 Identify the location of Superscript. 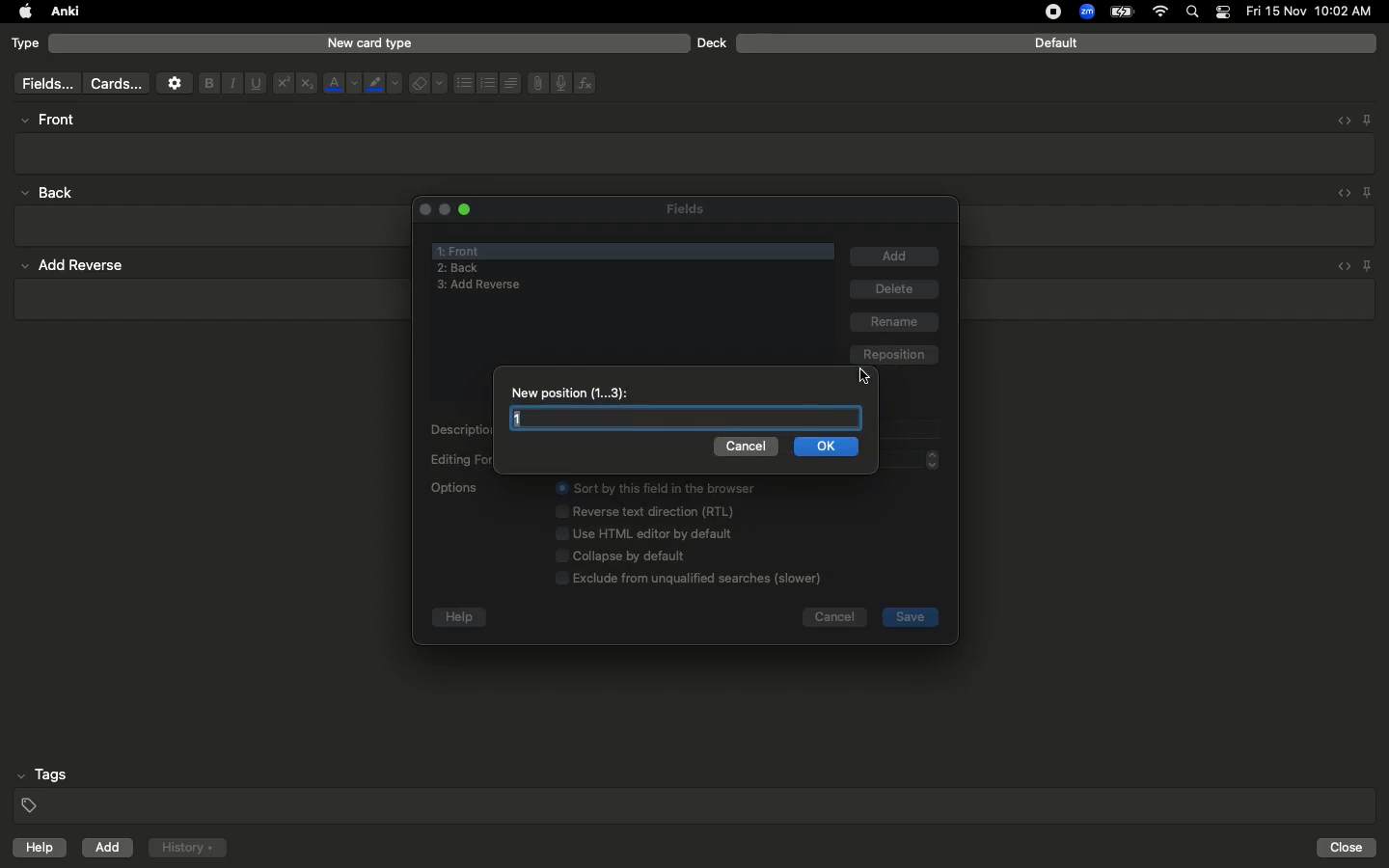
(282, 84).